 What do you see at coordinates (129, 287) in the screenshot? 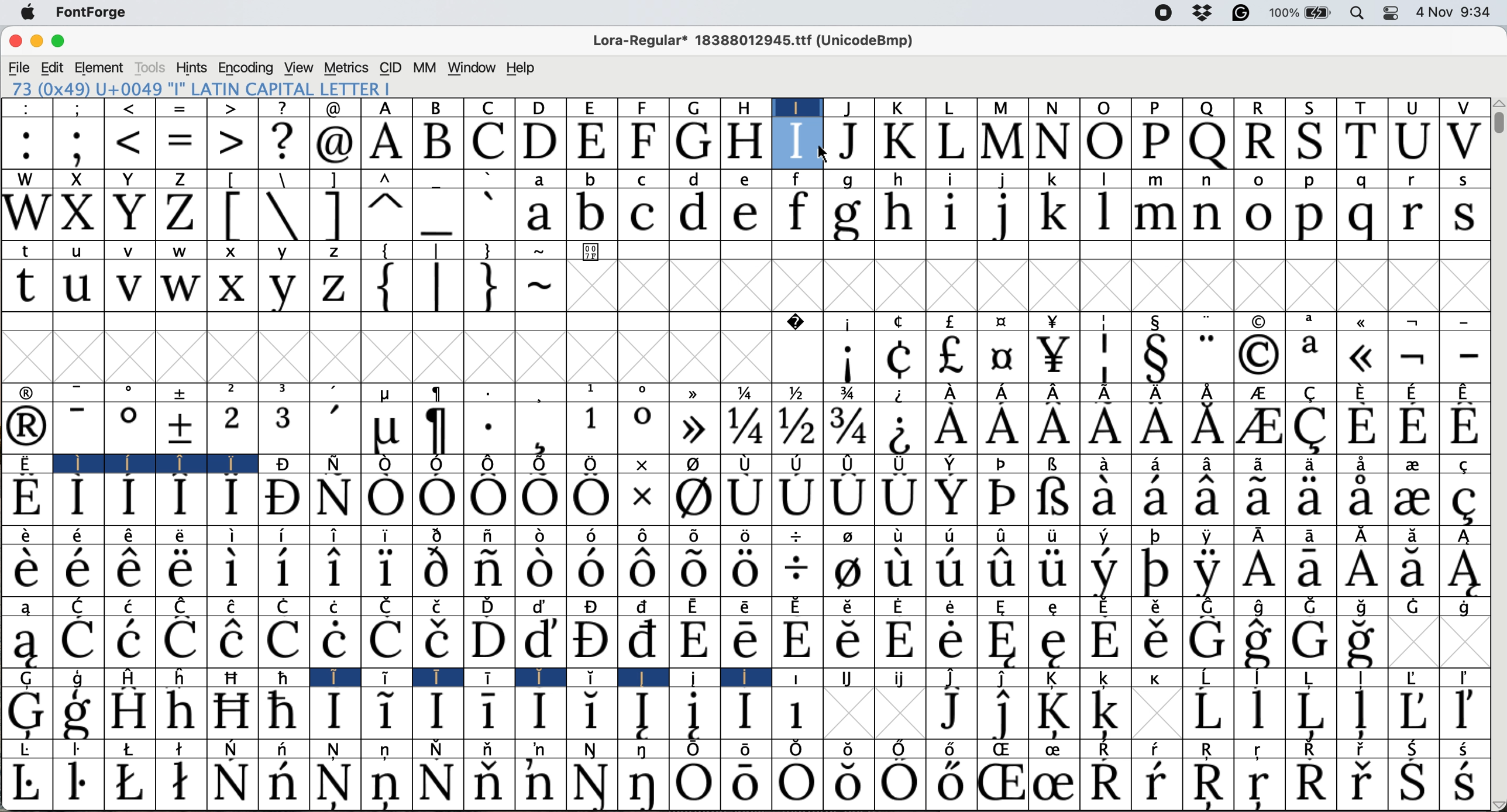
I see `v` at bounding box center [129, 287].